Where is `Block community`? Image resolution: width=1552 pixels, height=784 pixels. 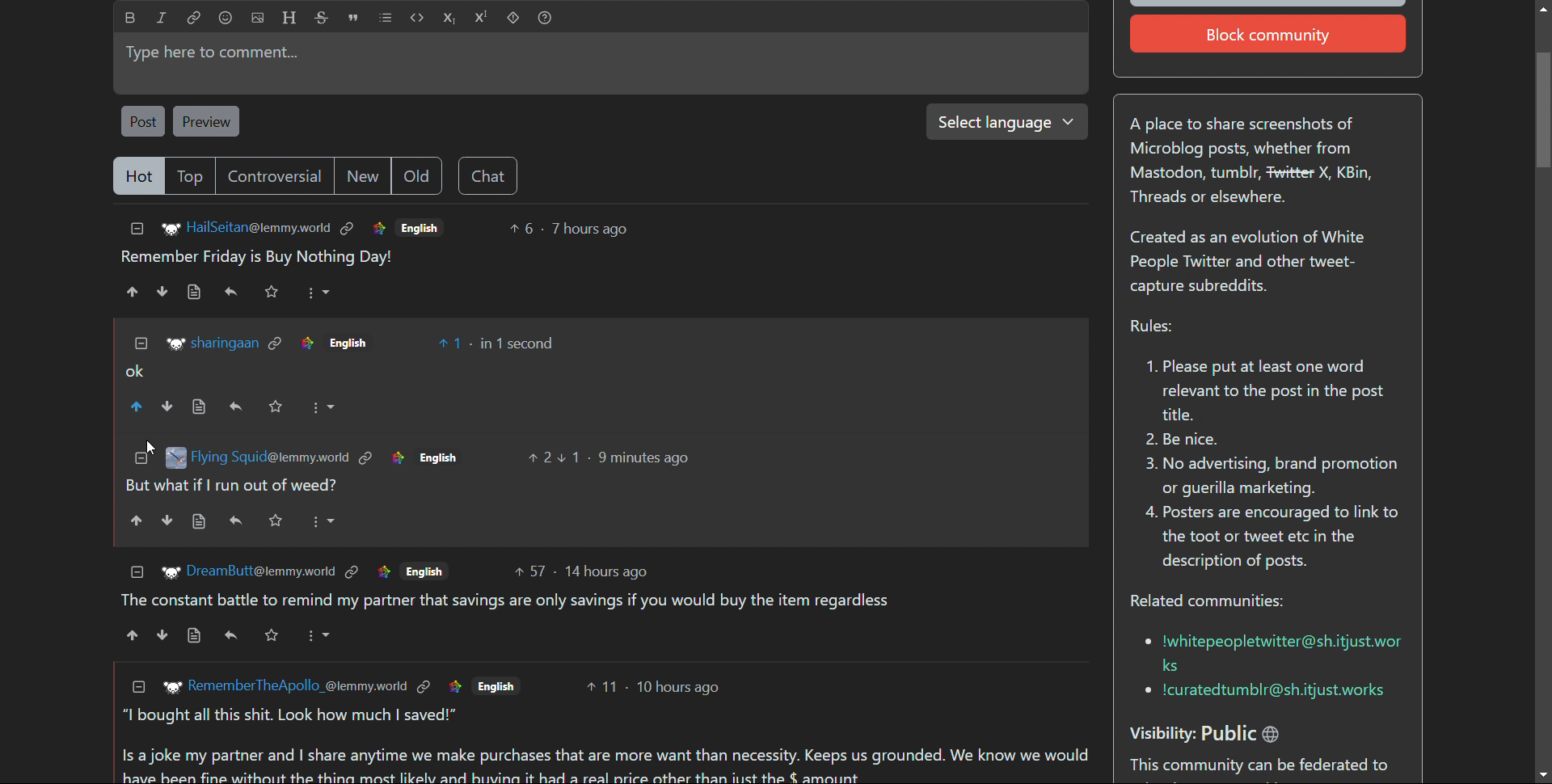 Block community is located at coordinates (1272, 35).